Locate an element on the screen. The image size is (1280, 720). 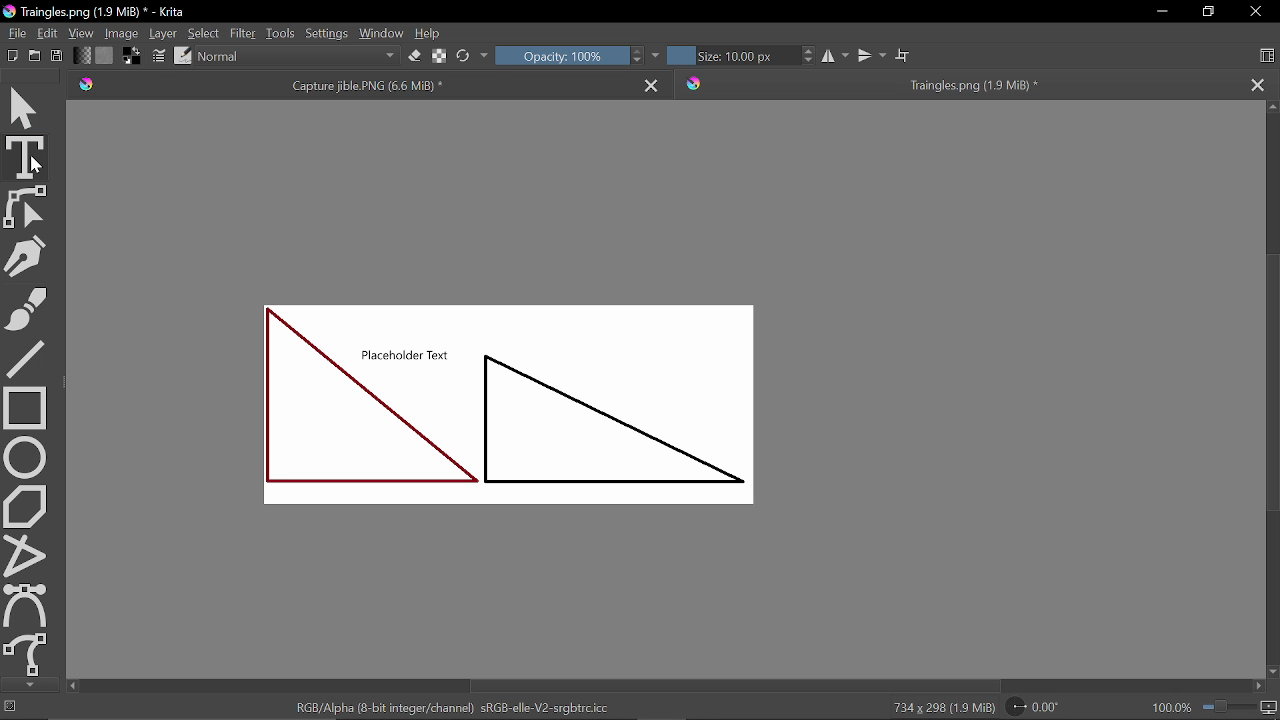
No selection is located at coordinates (11, 709).